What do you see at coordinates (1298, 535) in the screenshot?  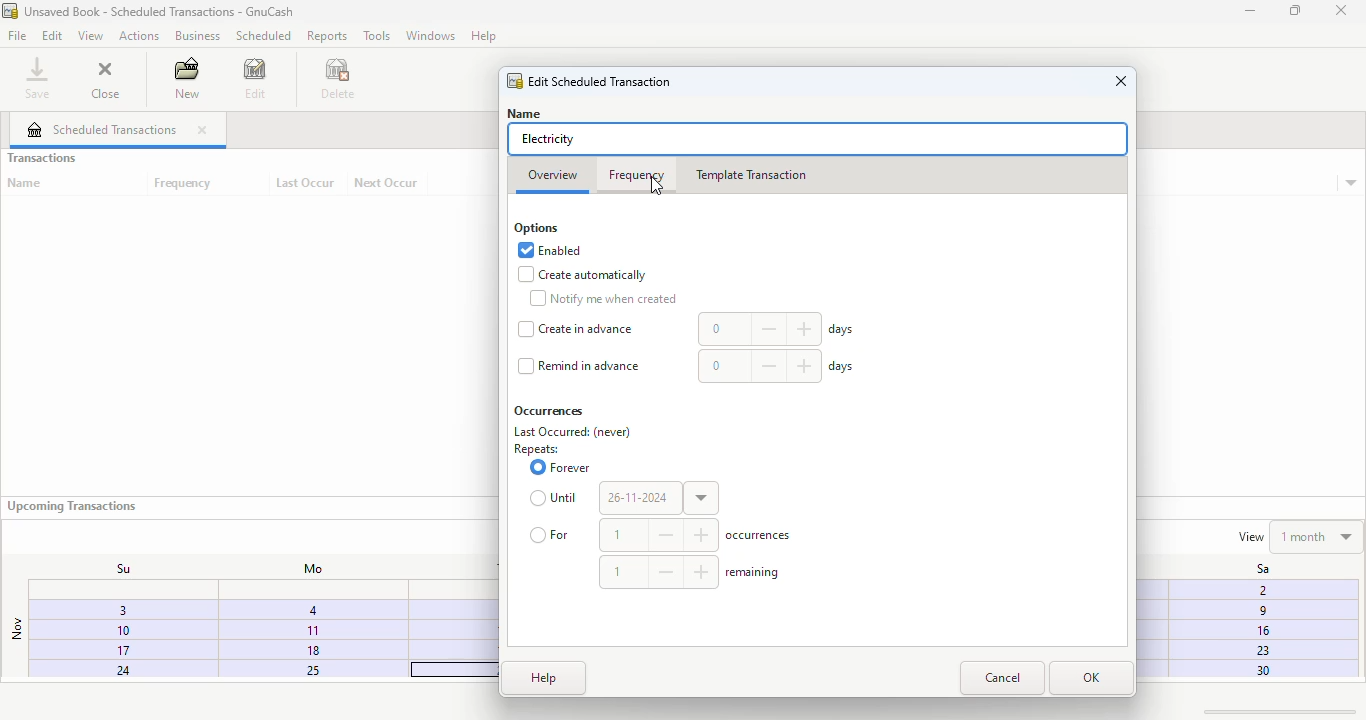 I see `view 1 month` at bounding box center [1298, 535].